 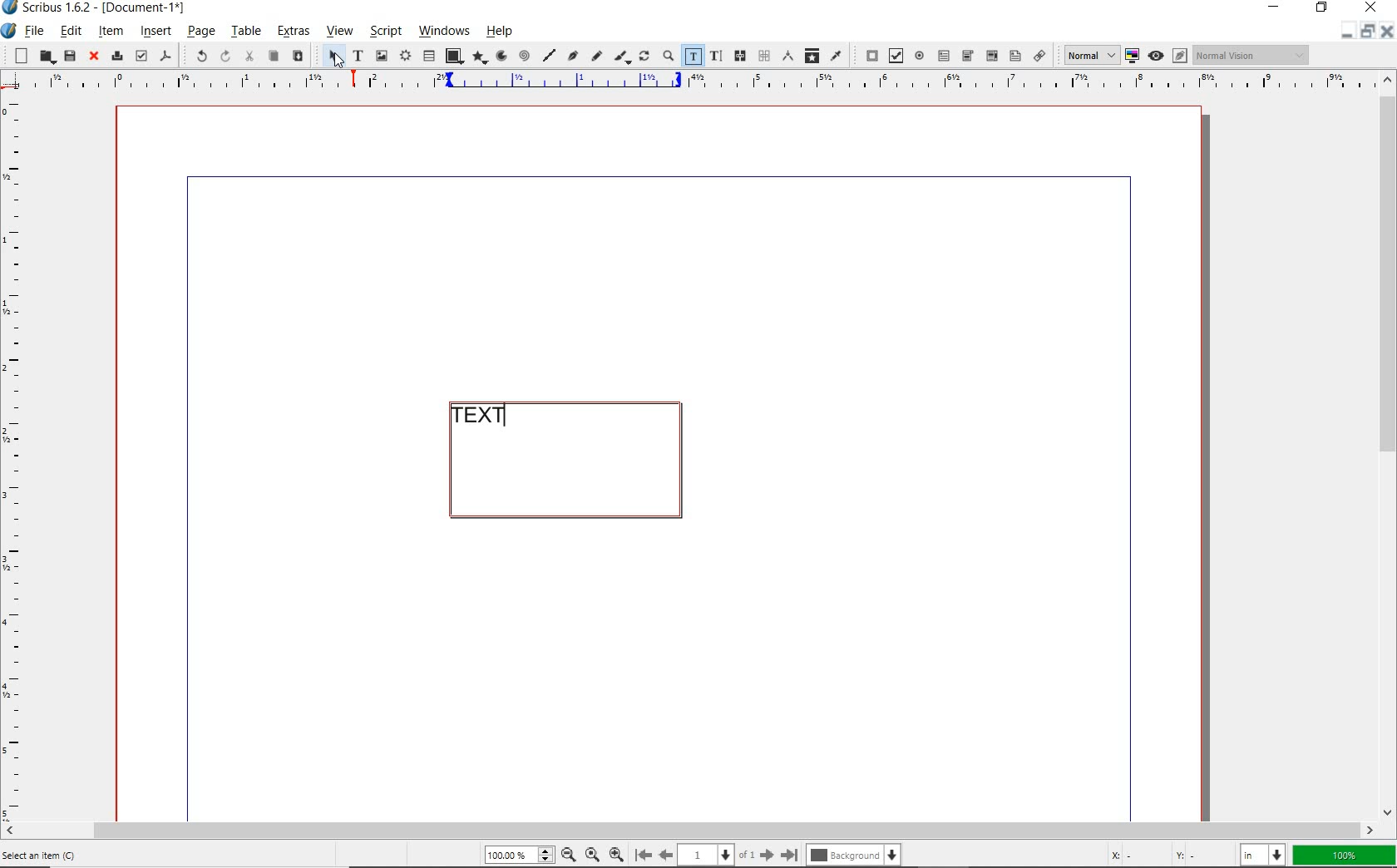 What do you see at coordinates (69, 32) in the screenshot?
I see `edit` at bounding box center [69, 32].